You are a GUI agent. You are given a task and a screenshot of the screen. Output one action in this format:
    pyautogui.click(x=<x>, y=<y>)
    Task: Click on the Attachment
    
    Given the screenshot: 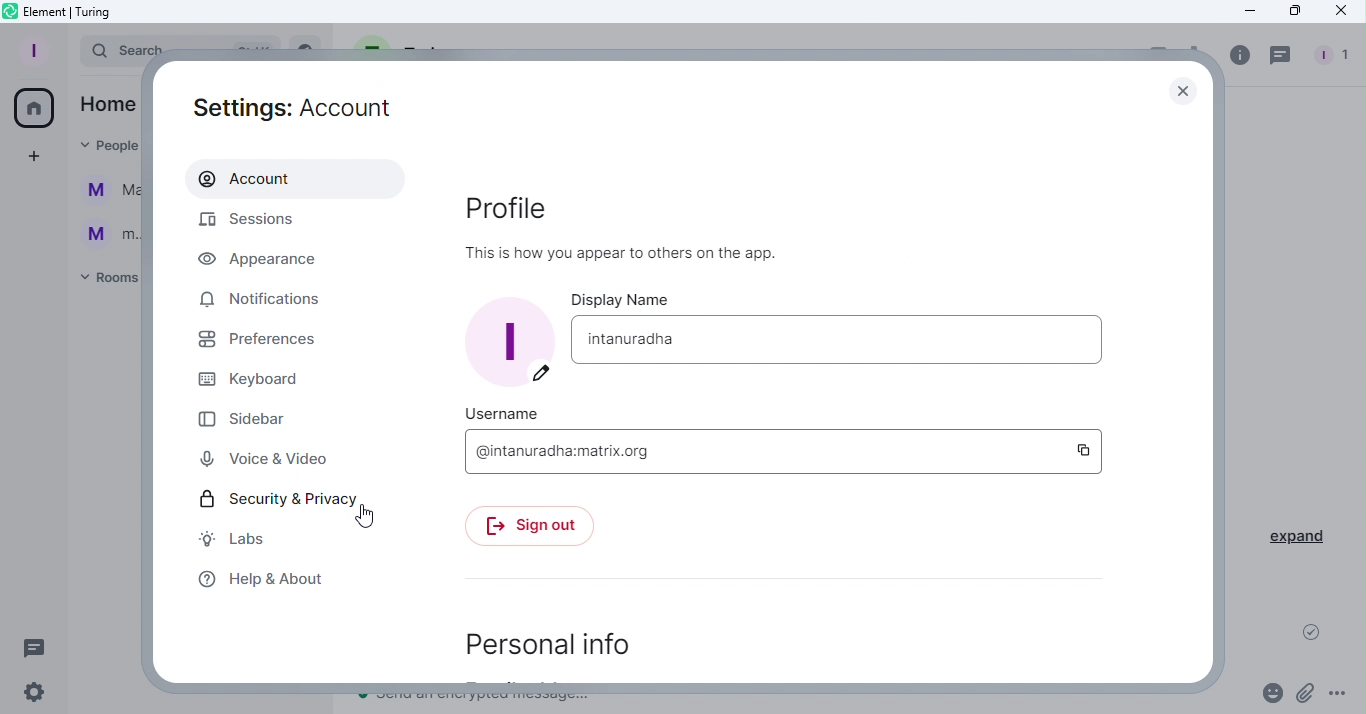 What is the action you would take?
    pyautogui.click(x=1307, y=693)
    